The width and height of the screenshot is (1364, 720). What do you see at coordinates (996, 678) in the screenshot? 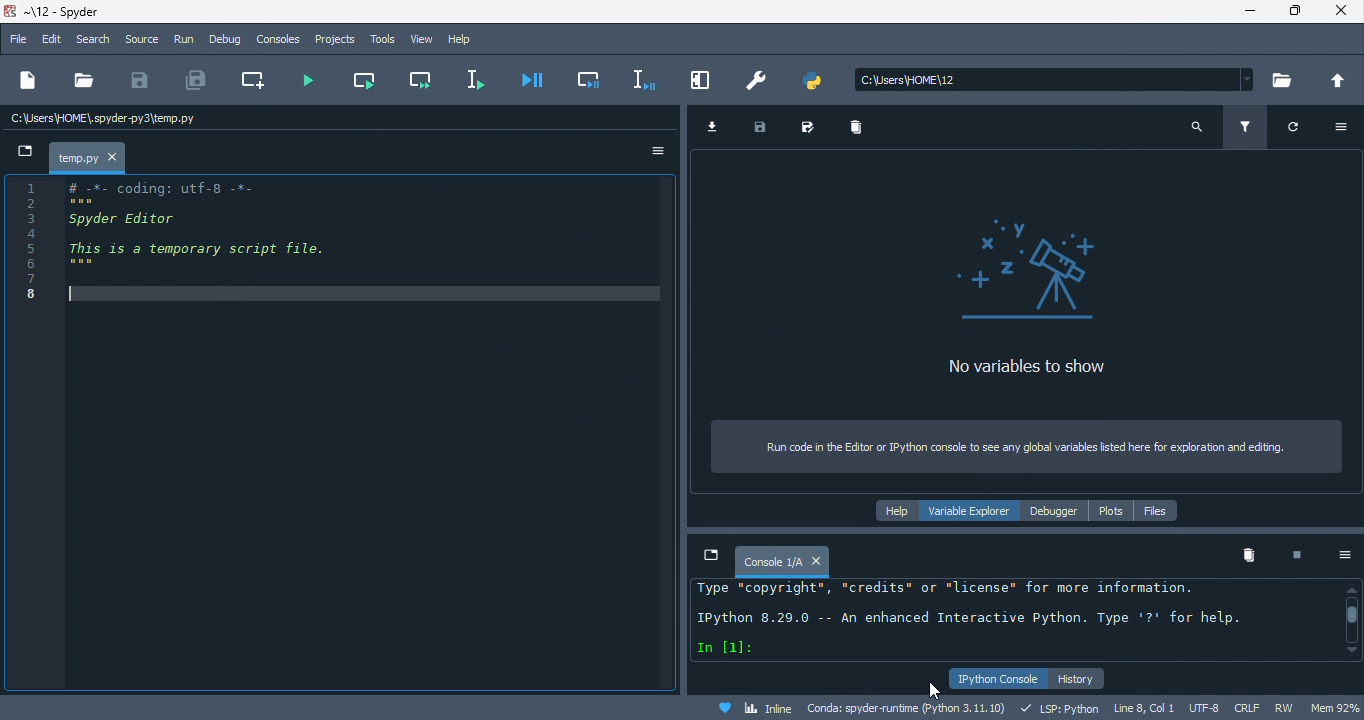
I see `ipython console` at bounding box center [996, 678].